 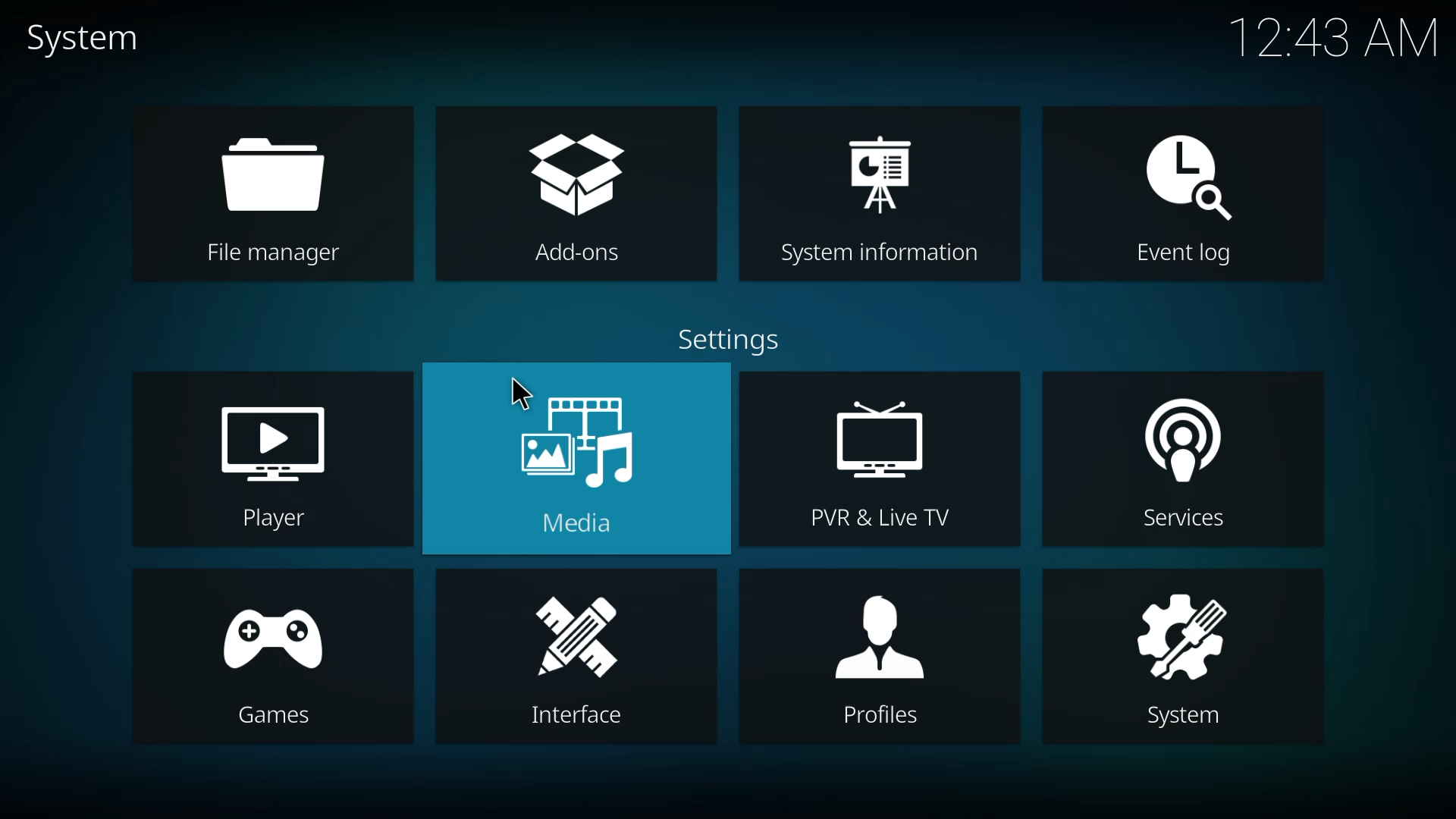 I want to click on event log, so click(x=1180, y=196).